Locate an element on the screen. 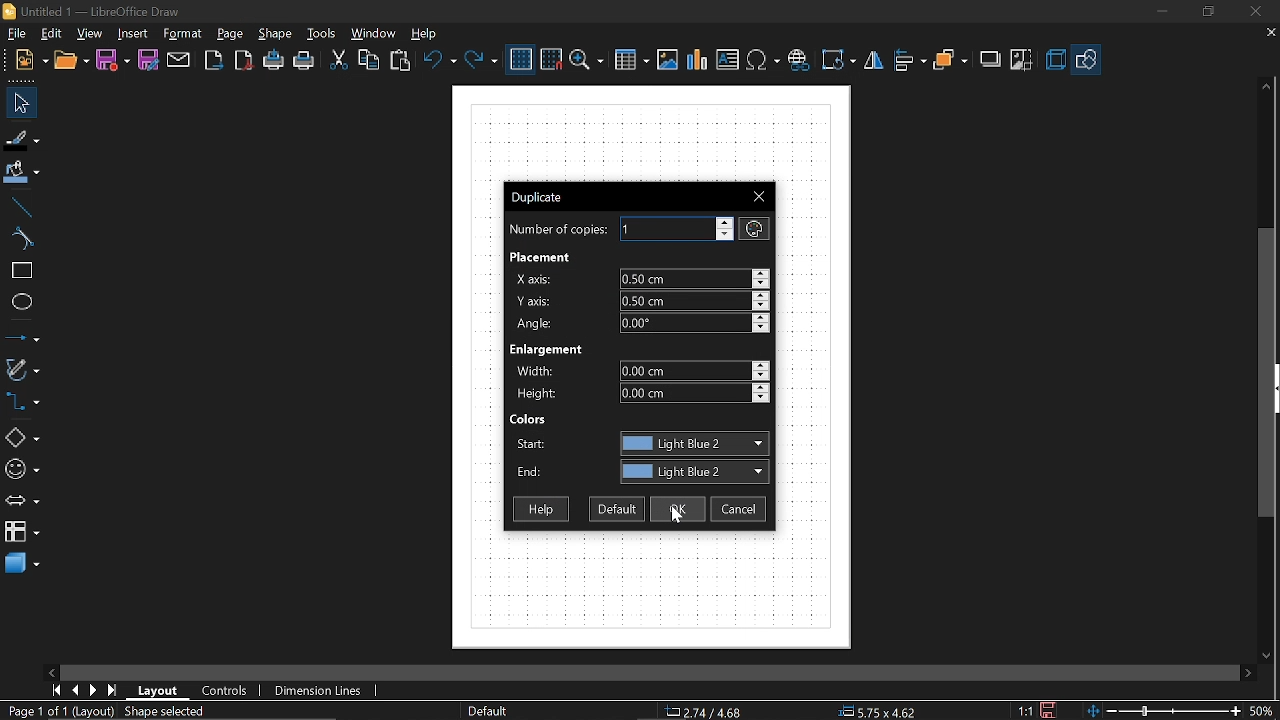  Save is located at coordinates (1051, 709).